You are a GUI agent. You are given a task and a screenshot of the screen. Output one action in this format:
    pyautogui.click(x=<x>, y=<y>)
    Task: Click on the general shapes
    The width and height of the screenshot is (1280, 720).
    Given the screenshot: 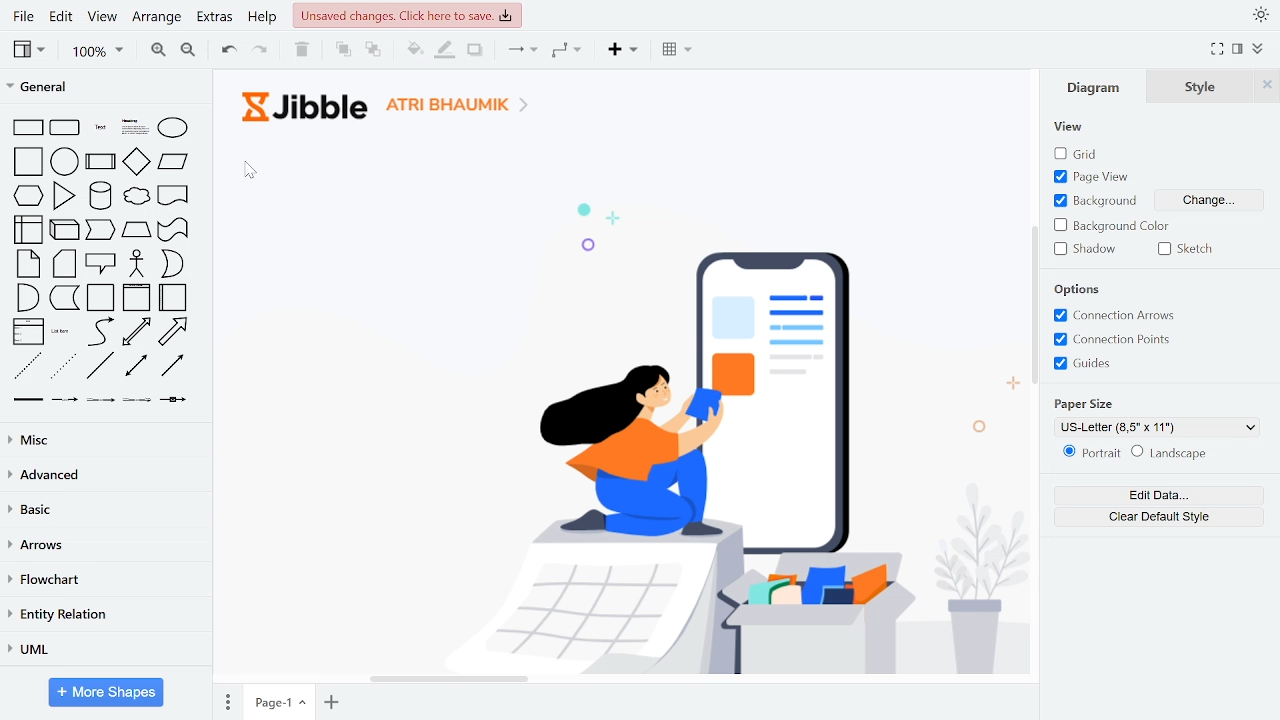 What is the action you would take?
    pyautogui.click(x=27, y=195)
    